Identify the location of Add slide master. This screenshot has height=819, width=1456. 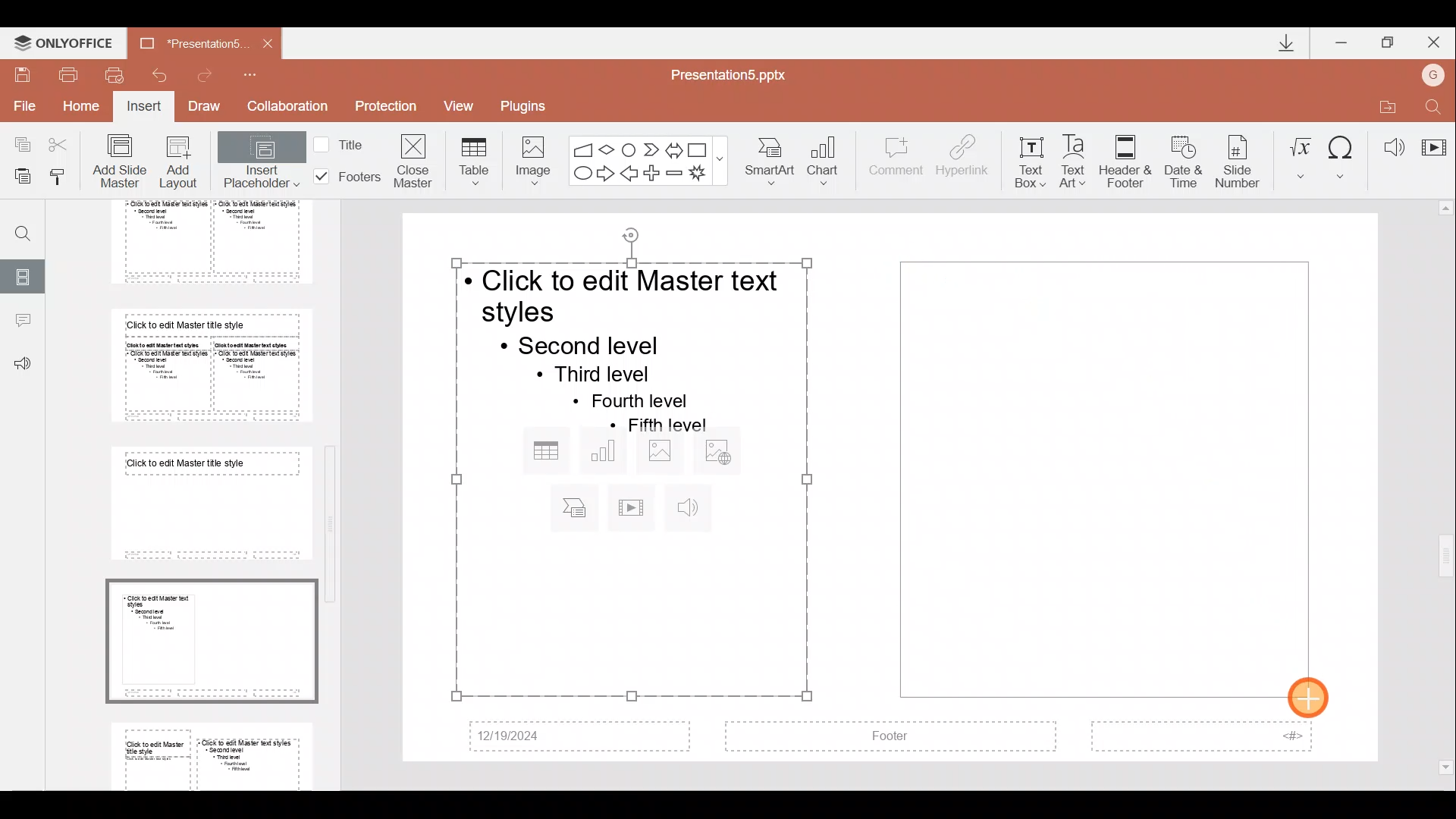
(123, 162).